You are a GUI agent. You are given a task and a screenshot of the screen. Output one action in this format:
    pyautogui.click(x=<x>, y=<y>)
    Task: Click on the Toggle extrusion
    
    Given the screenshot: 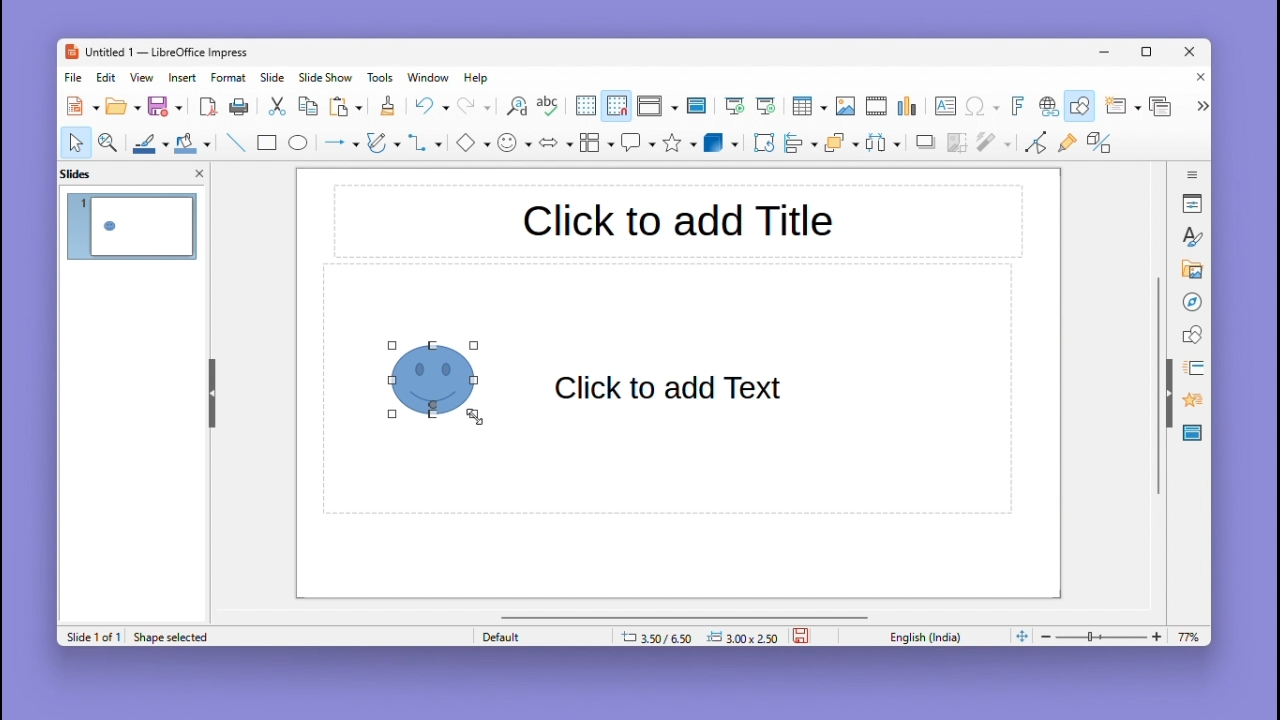 What is the action you would take?
    pyautogui.click(x=1099, y=144)
    